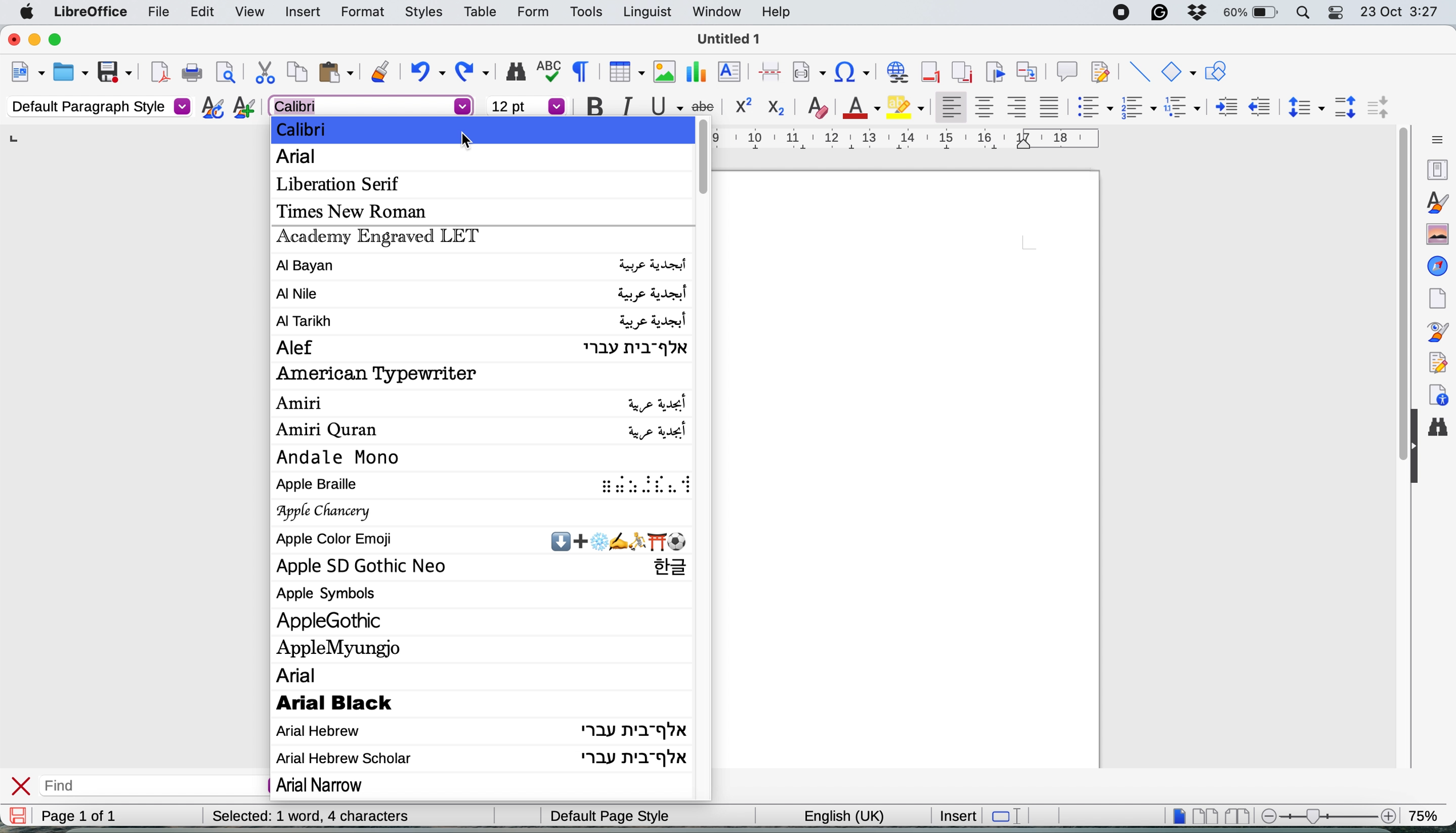  Describe the element at coordinates (531, 12) in the screenshot. I see `form` at that location.